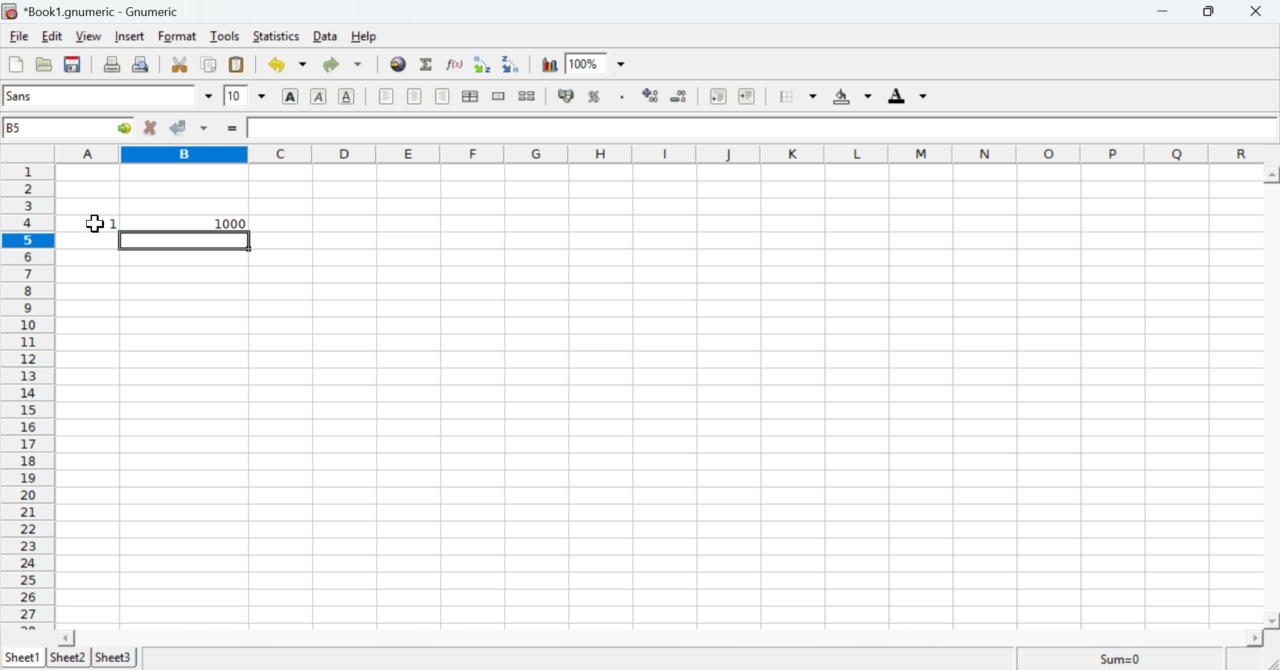 This screenshot has width=1280, height=670. I want to click on Copy selection, so click(209, 63).